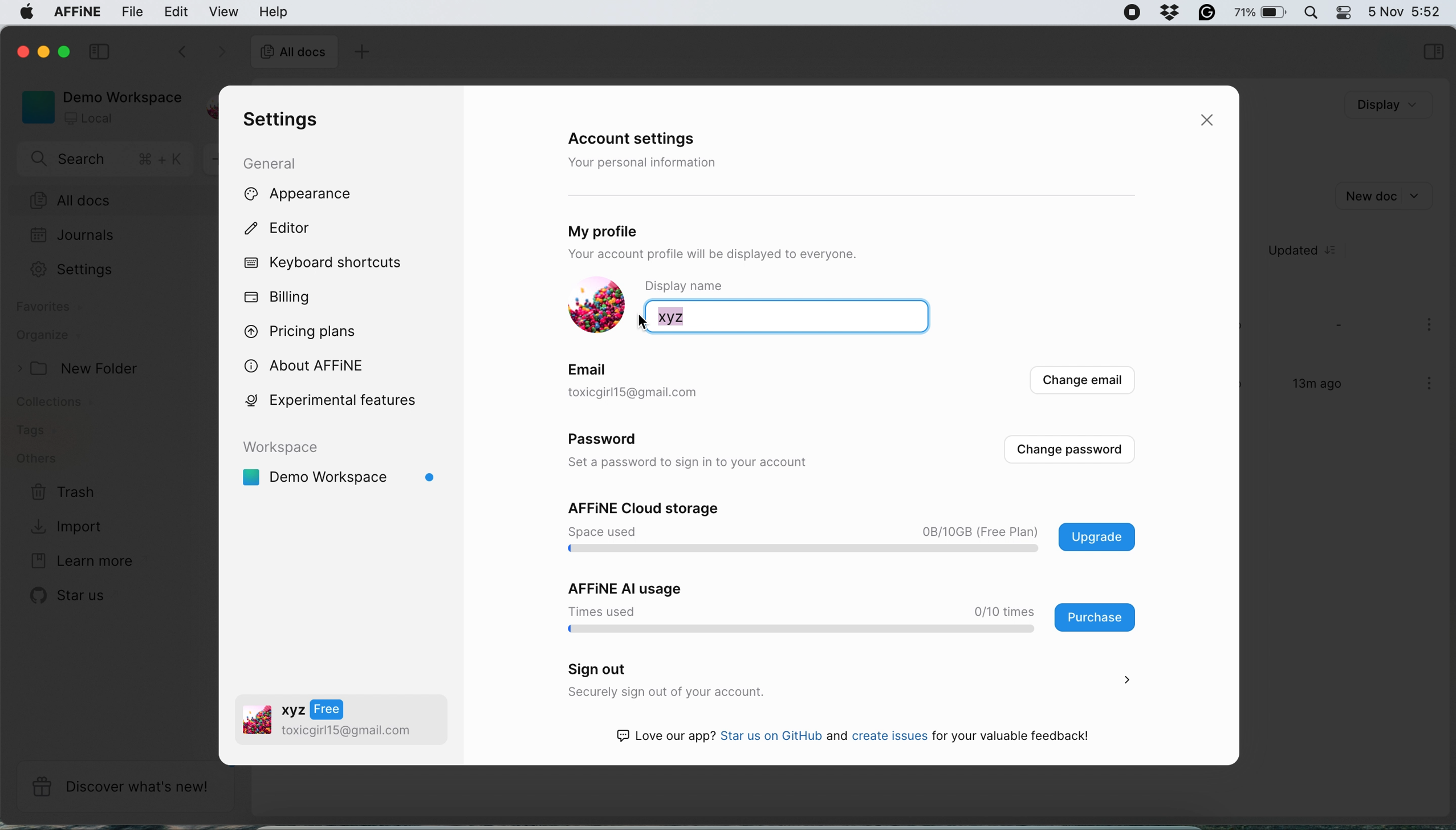 This screenshot has width=1456, height=830. What do you see at coordinates (1382, 194) in the screenshot?
I see `new doc` at bounding box center [1382, 194].